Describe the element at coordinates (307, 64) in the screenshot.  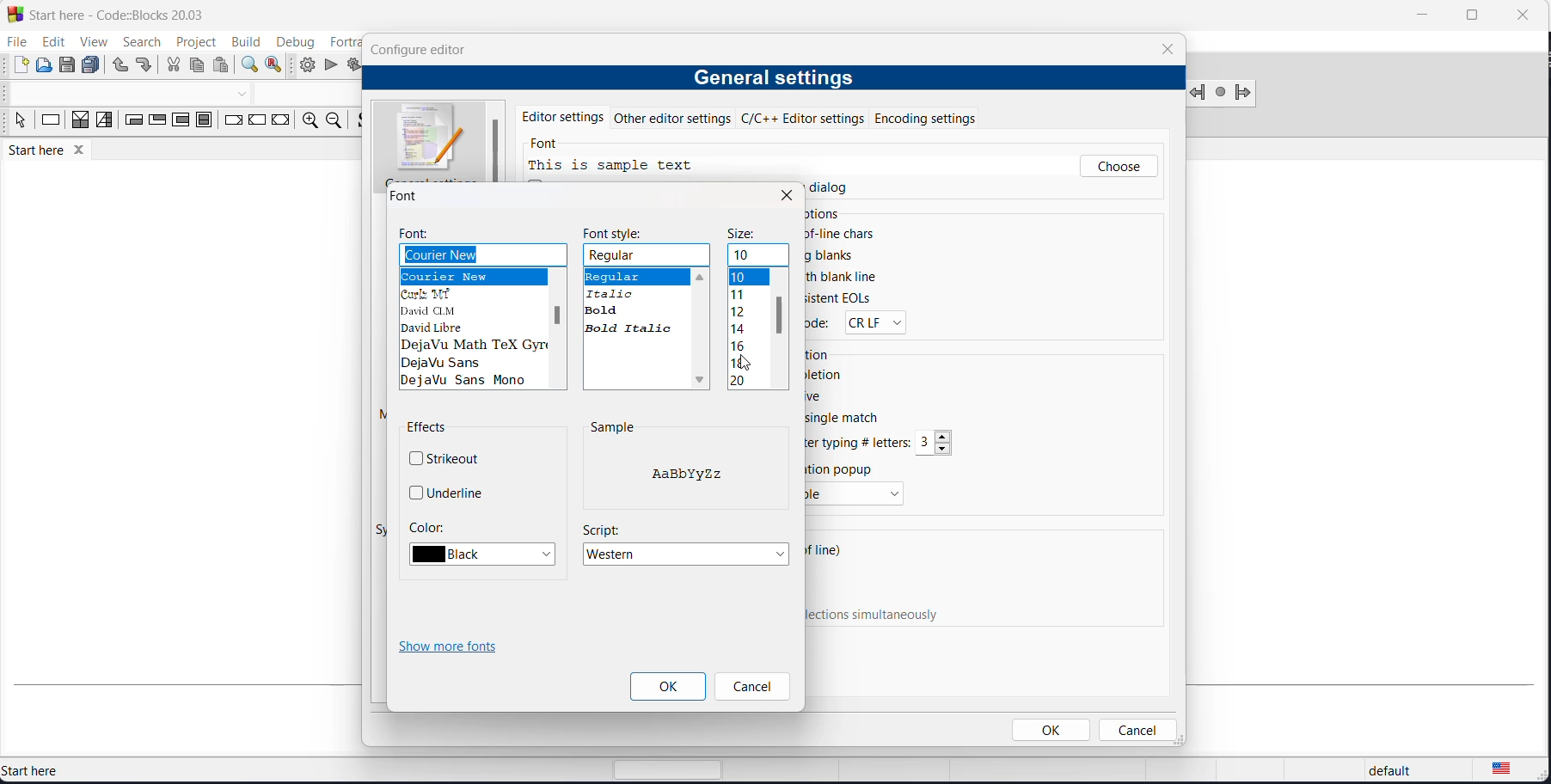
I see `build` at that location.